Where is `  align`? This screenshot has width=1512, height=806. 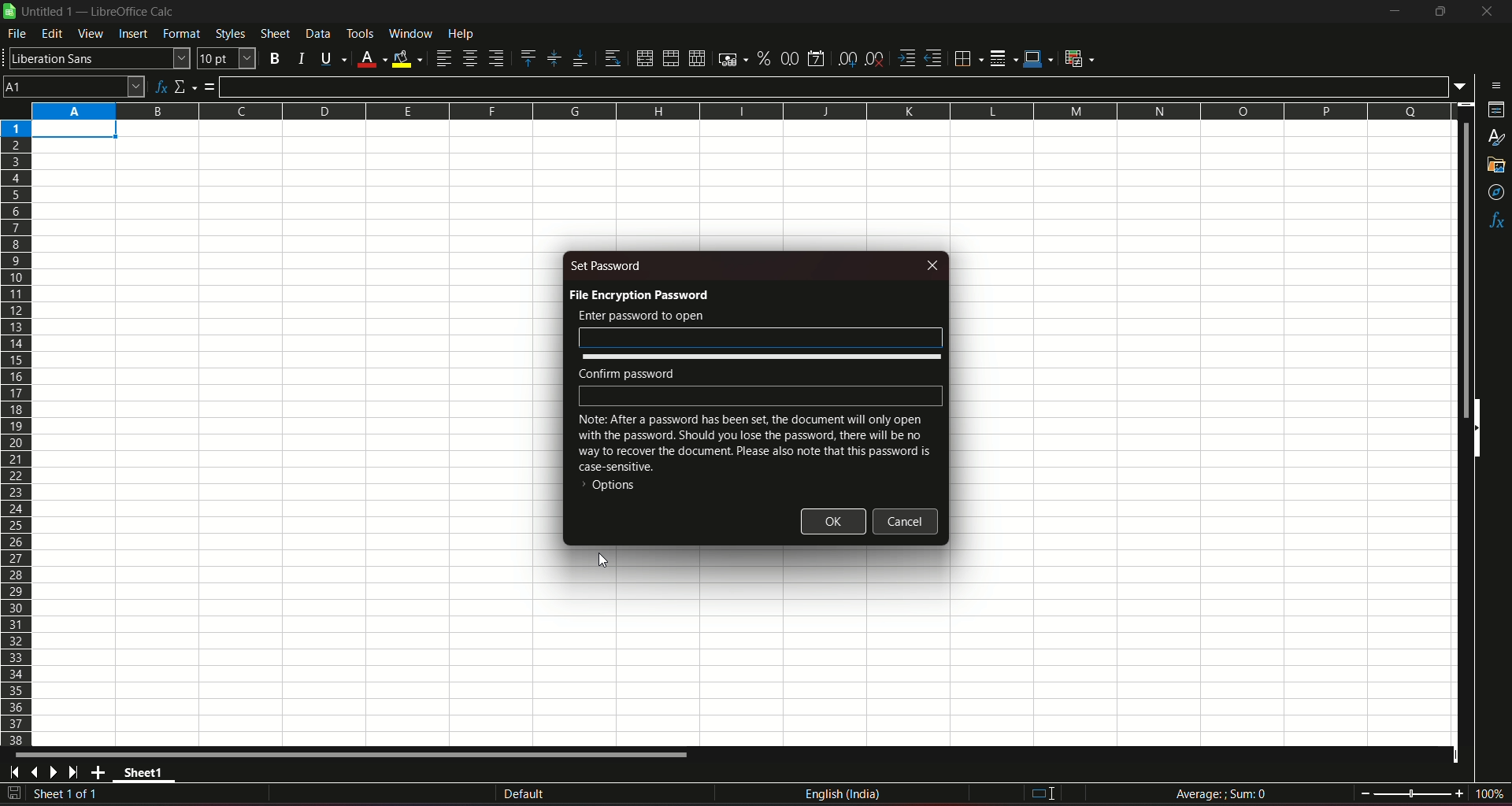
  align is located at coordinates (443, 58).